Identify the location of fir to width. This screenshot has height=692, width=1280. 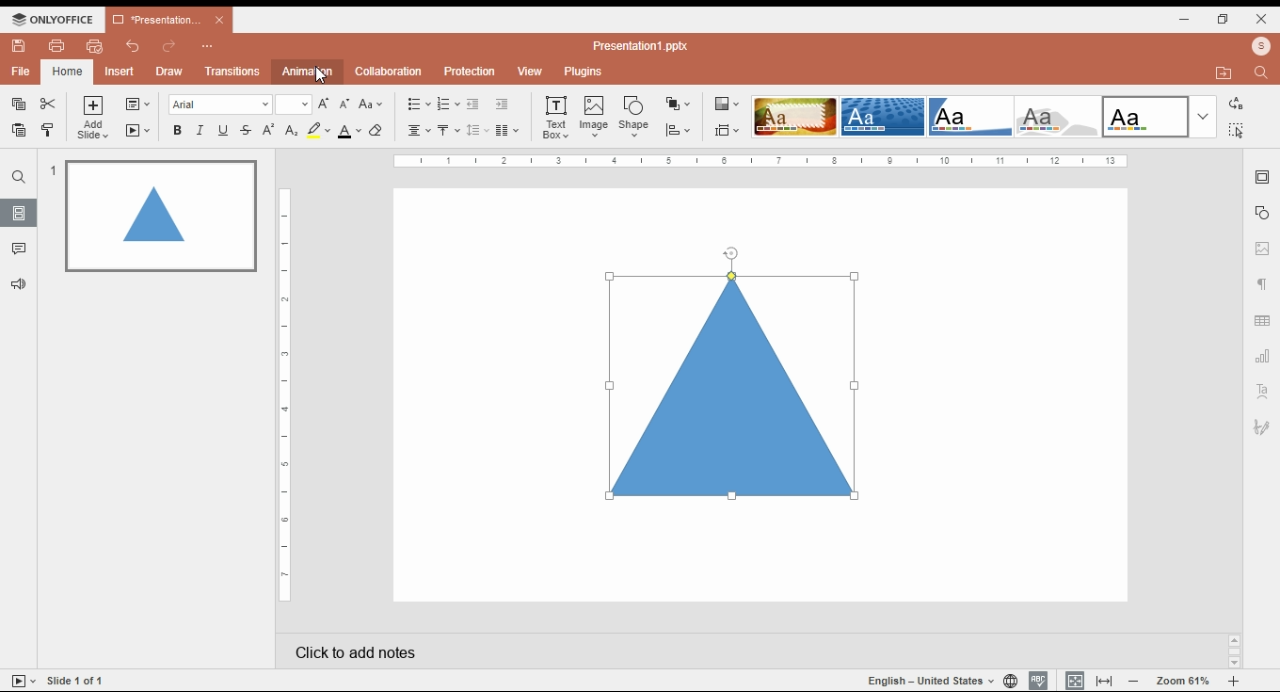
(1104, 681).